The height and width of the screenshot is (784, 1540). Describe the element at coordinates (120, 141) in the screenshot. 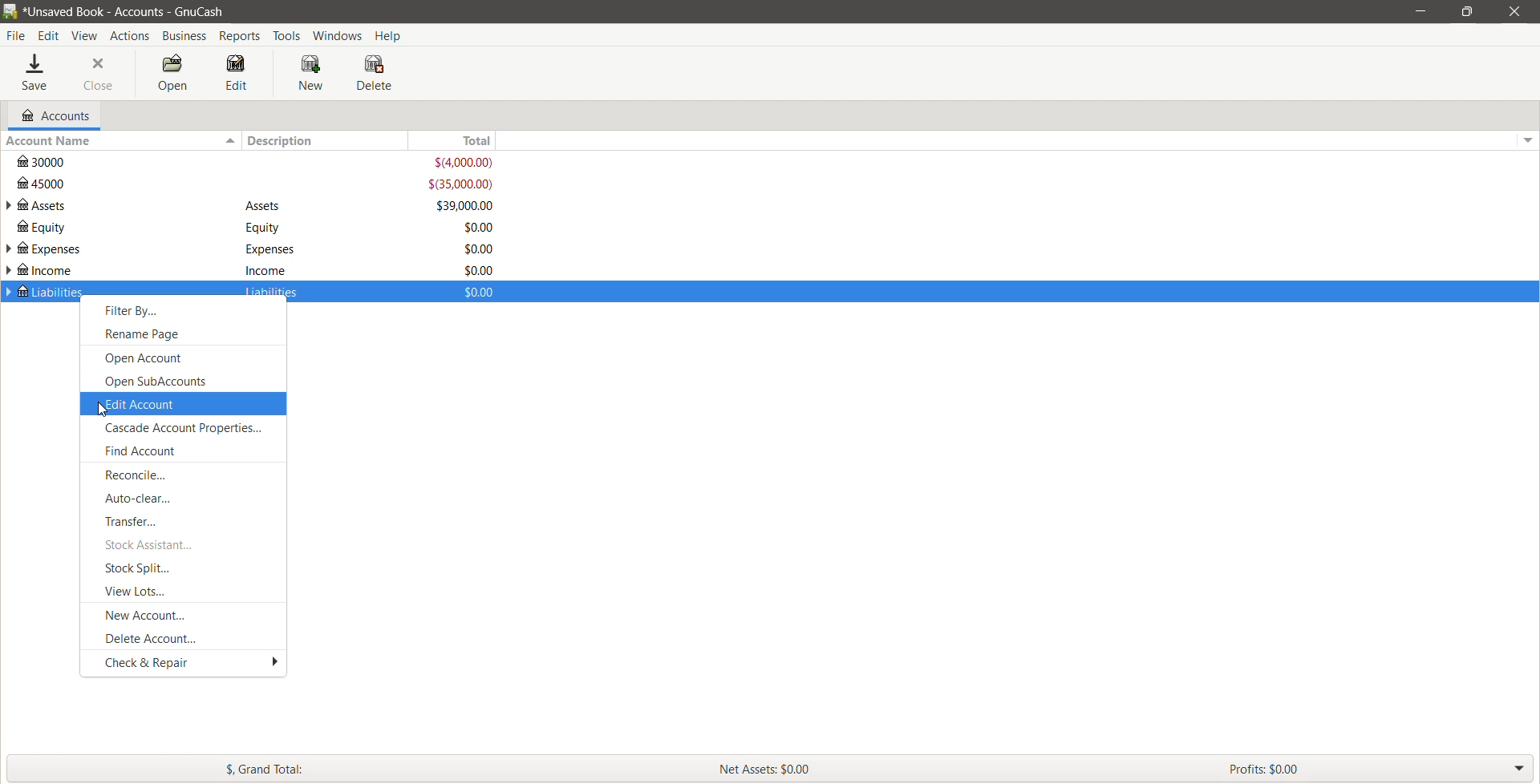

I see `Account Name` at that location.